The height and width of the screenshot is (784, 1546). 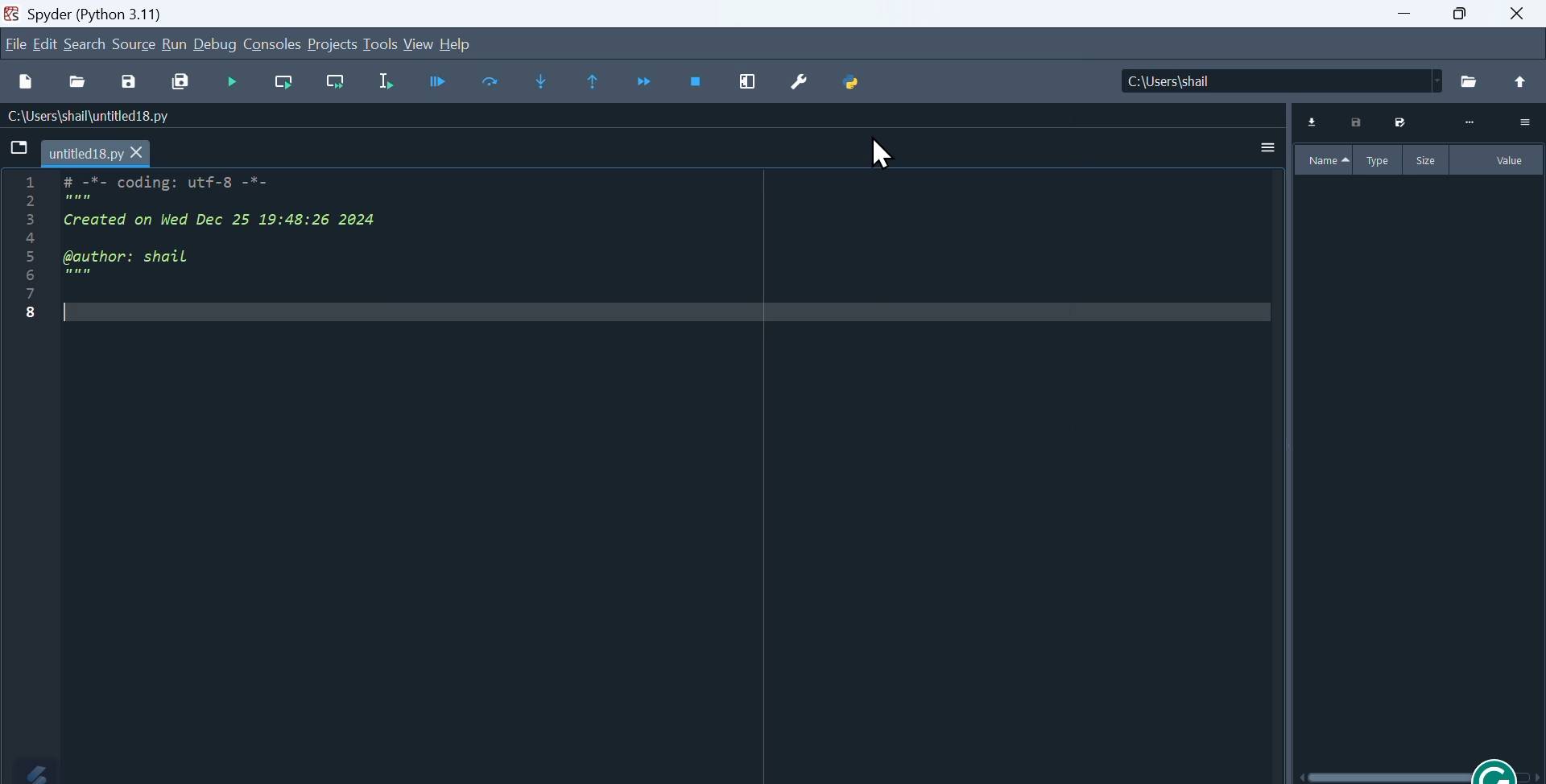 What do you see at coordinates (134, 43) in the screenshot?
I see `Source` at bounding box center [134, 43].